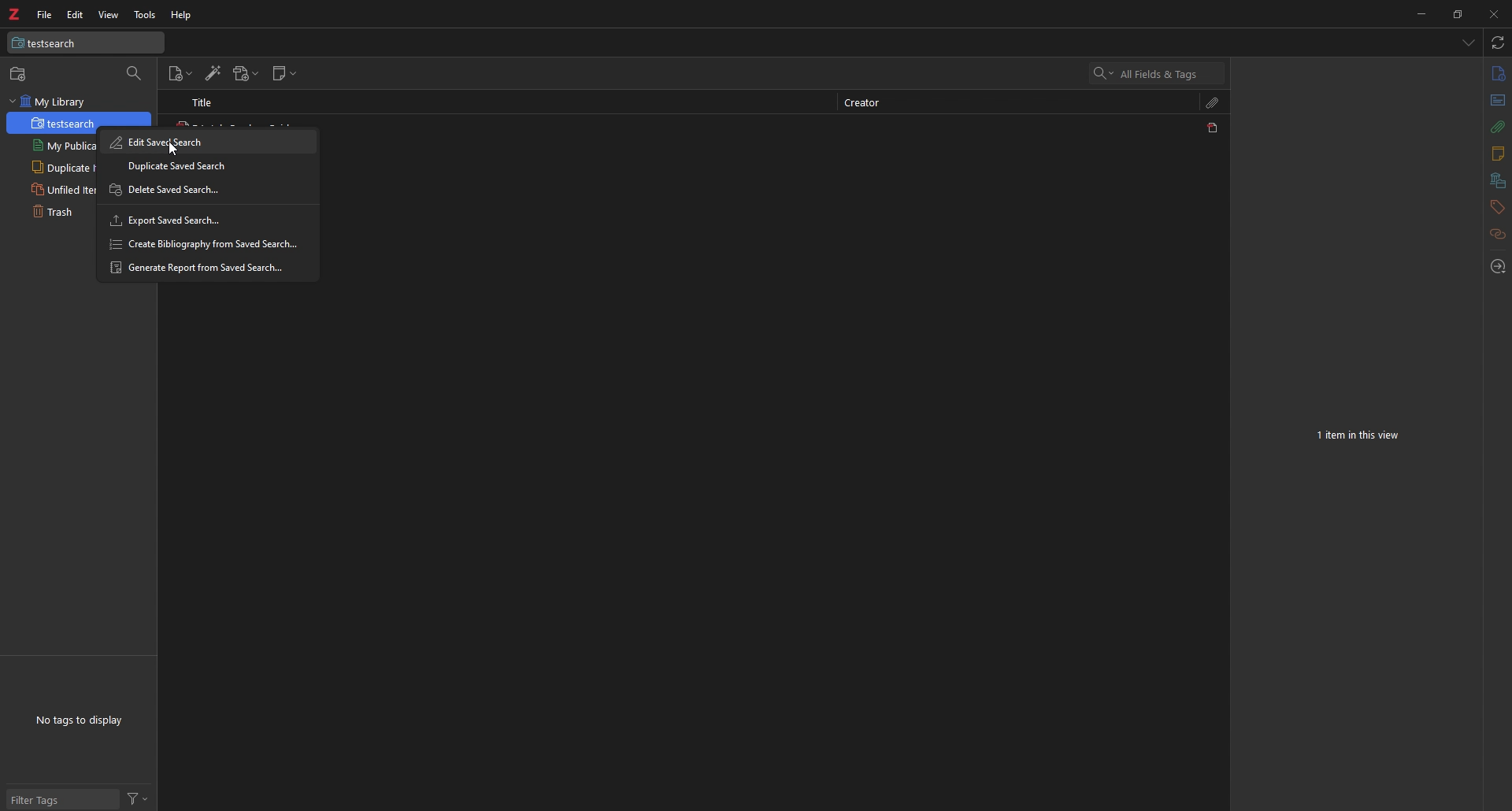 The height and width of the screenshot is (811, 1512). I want to click on title, so click(210, 102).